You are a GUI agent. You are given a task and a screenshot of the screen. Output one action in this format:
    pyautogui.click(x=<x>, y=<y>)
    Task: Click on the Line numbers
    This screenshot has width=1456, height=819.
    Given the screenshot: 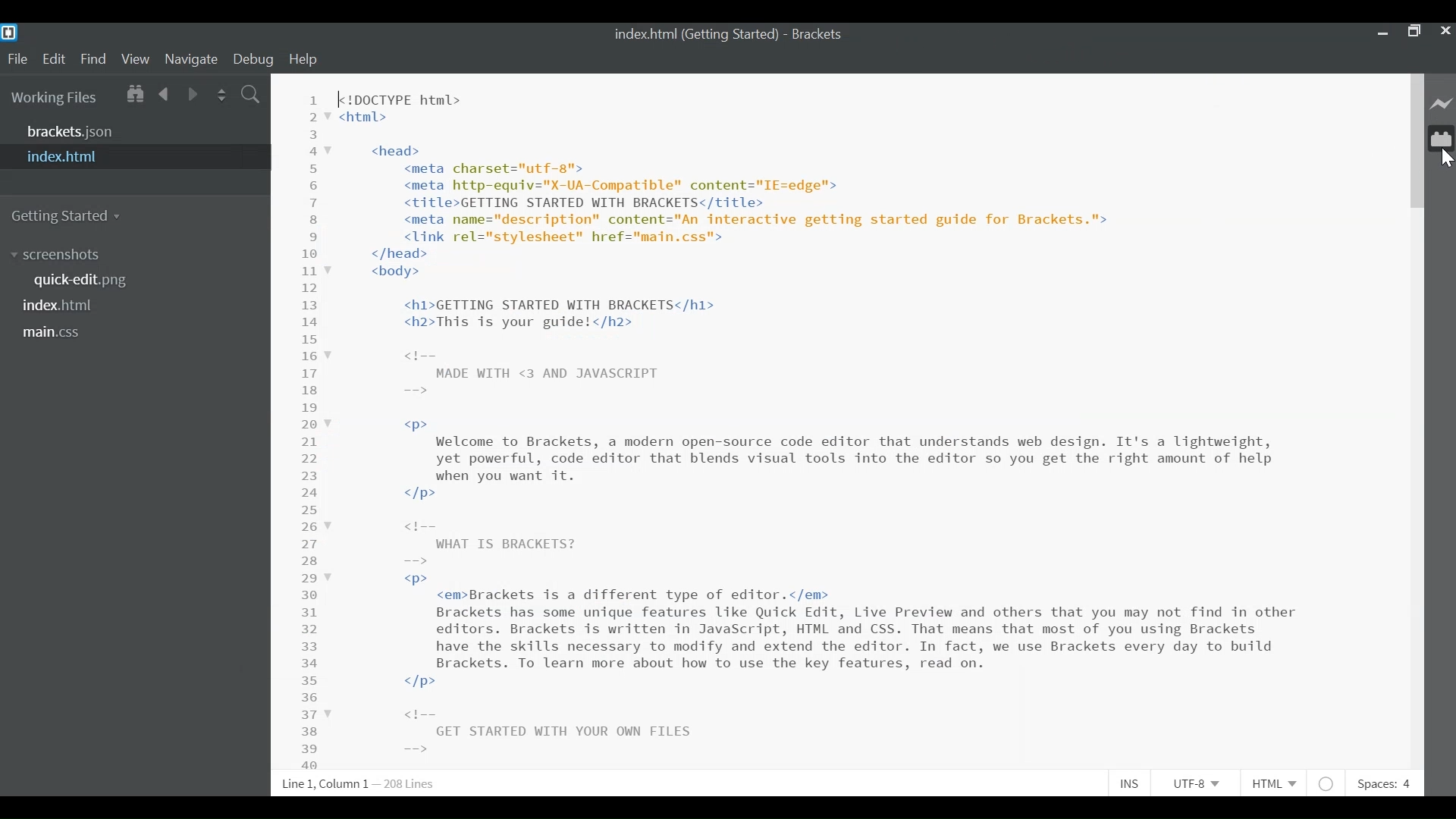 What is the action you would take?
    pyautogui.click(x=310, y=428)
    